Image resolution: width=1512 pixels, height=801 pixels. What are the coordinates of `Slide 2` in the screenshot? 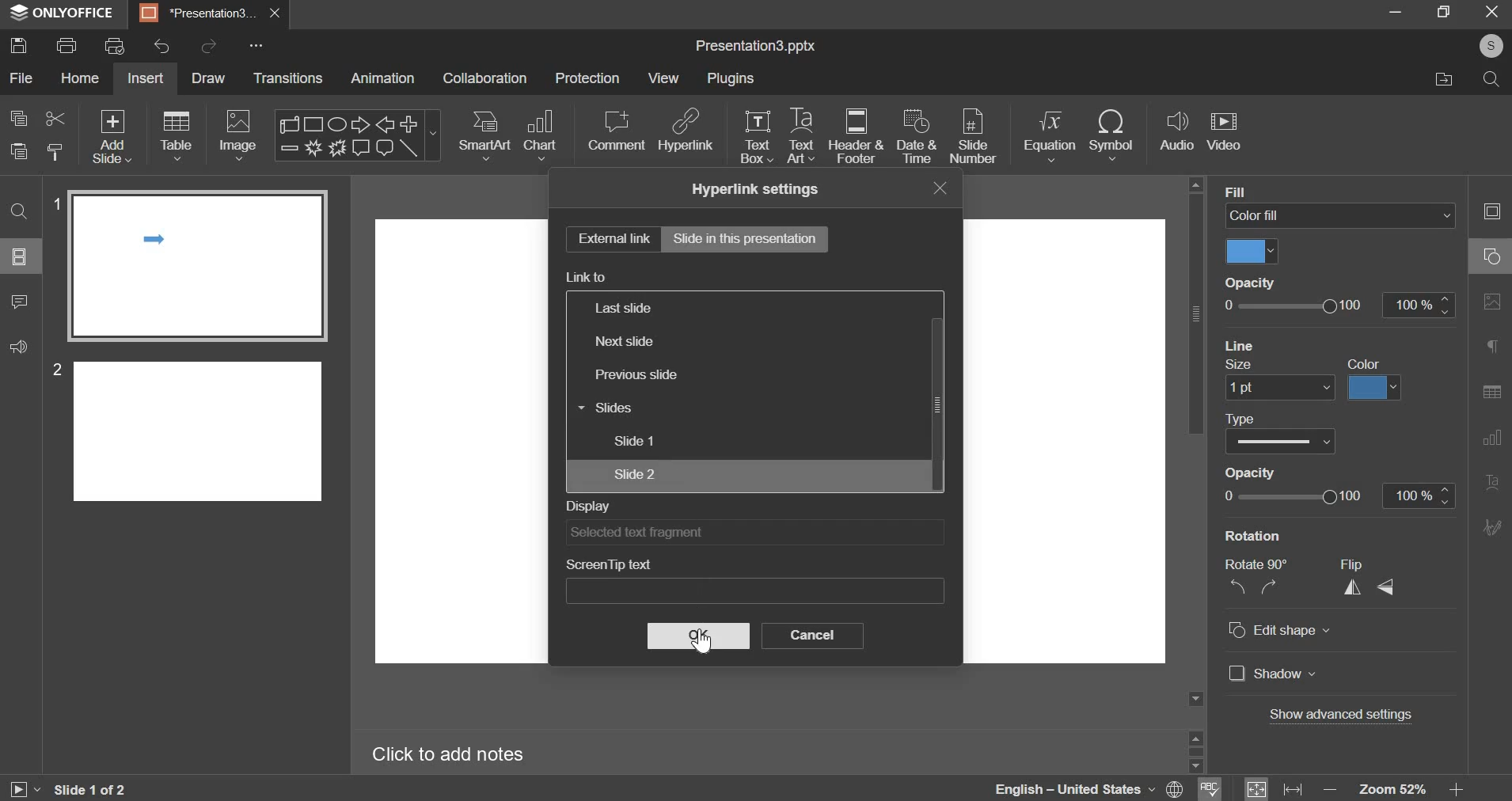 It's located at (663, 474).